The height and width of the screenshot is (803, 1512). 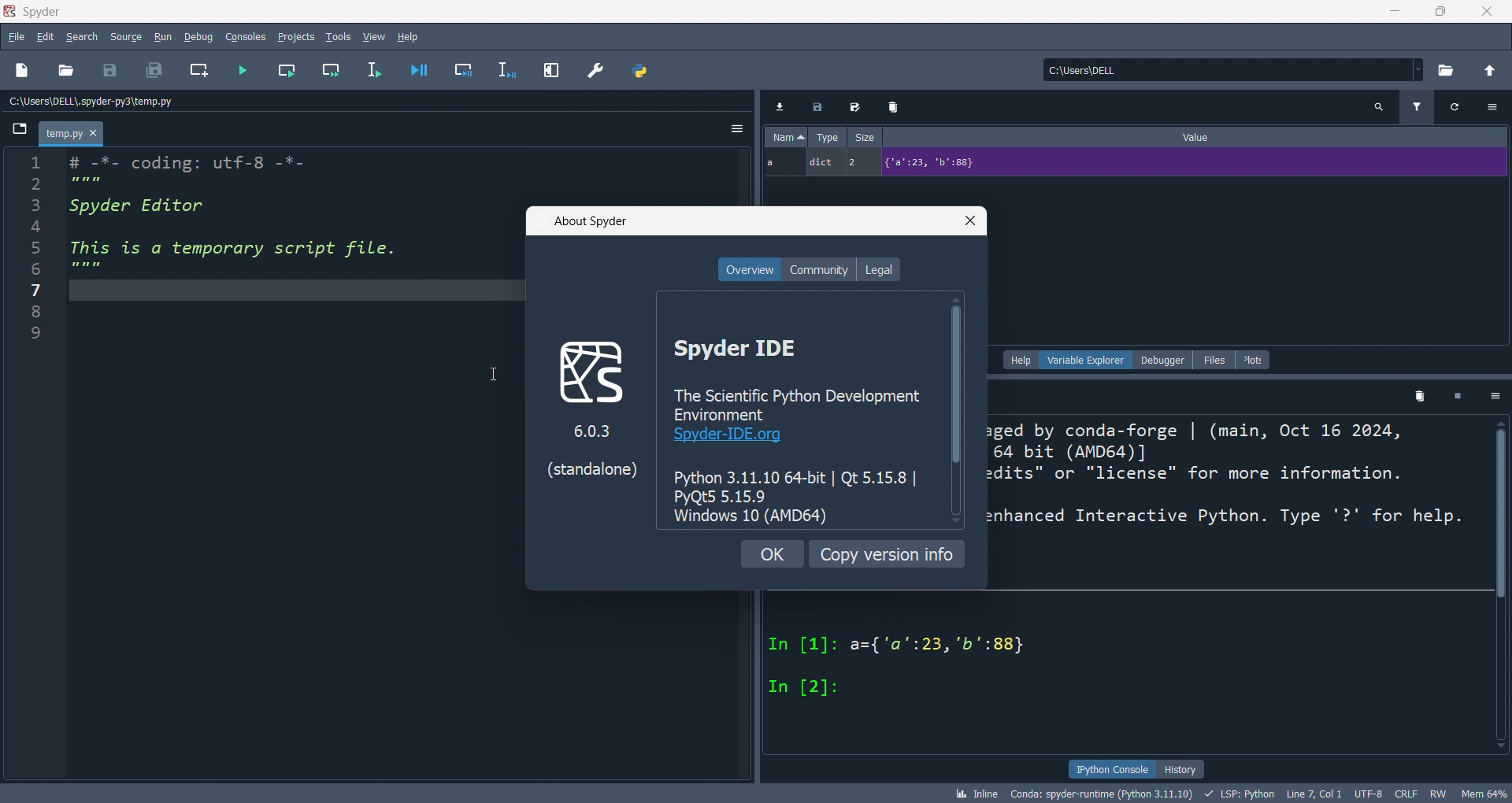 I want to click on C:\Users\DELL\spyder-py3\temp.py, so click(x=93, y=101).